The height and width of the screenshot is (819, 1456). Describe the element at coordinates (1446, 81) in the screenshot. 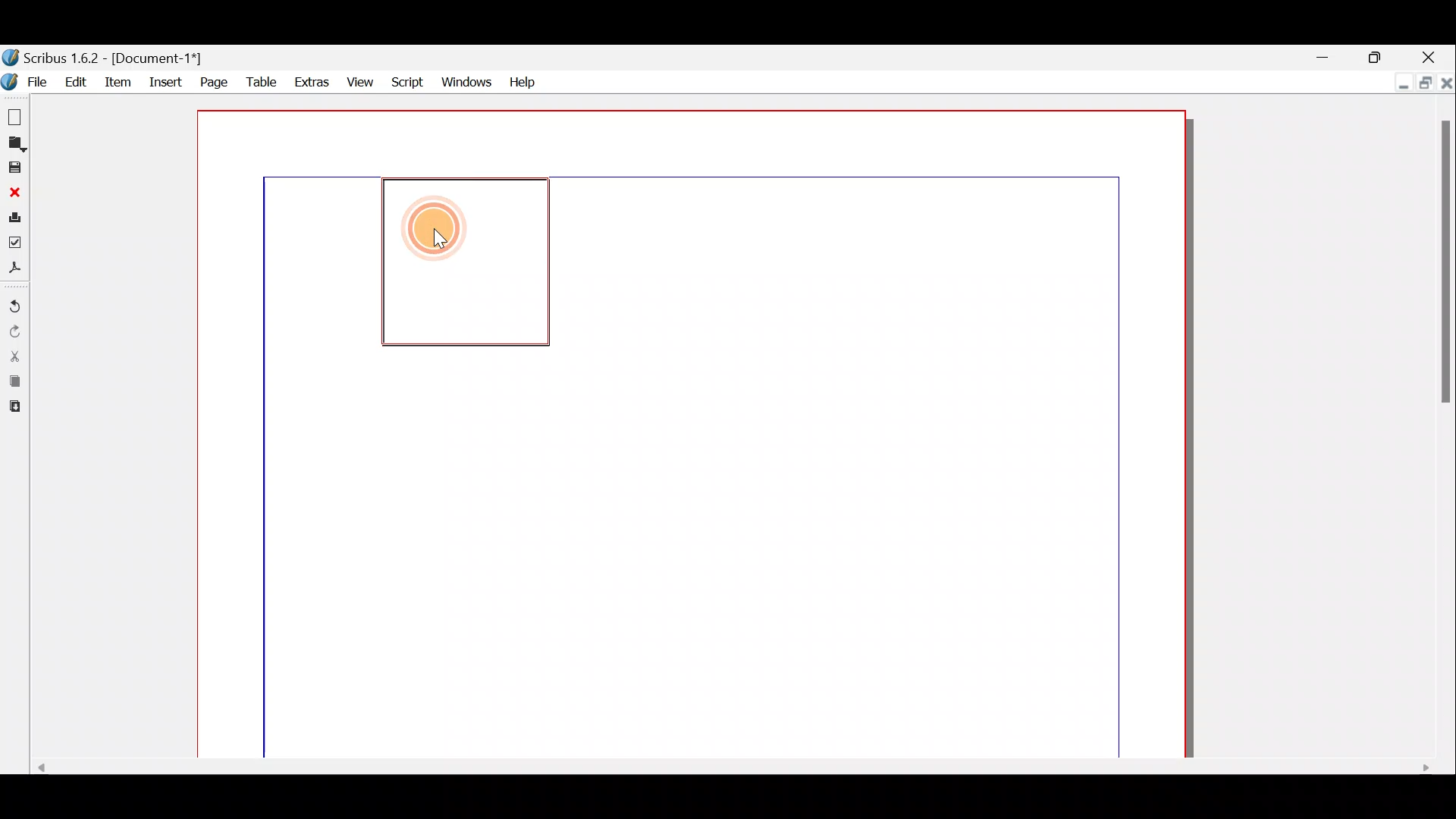

I see `Close` at that location.